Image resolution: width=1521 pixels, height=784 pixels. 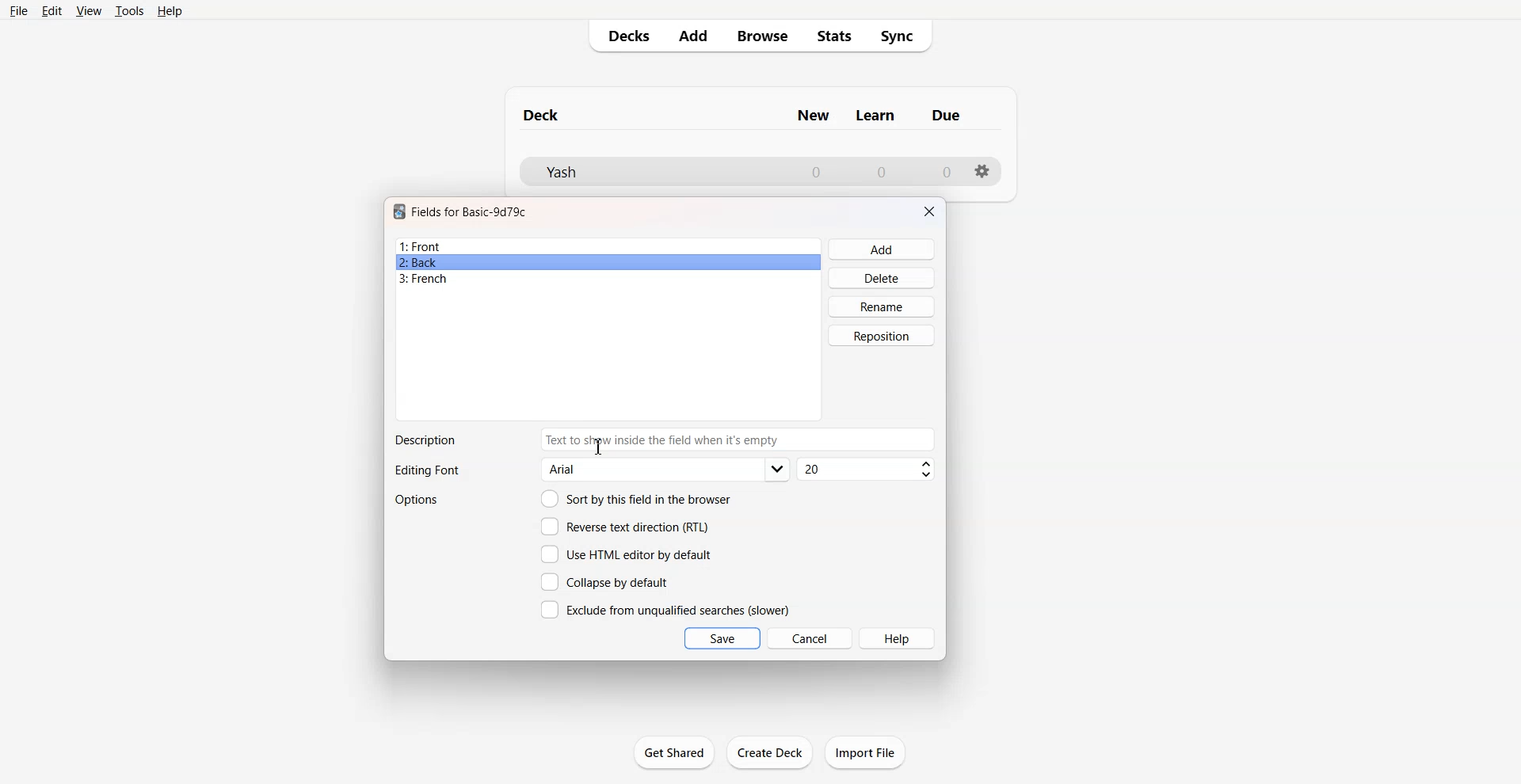 I want to click on Close, so click(x=929, y=211).